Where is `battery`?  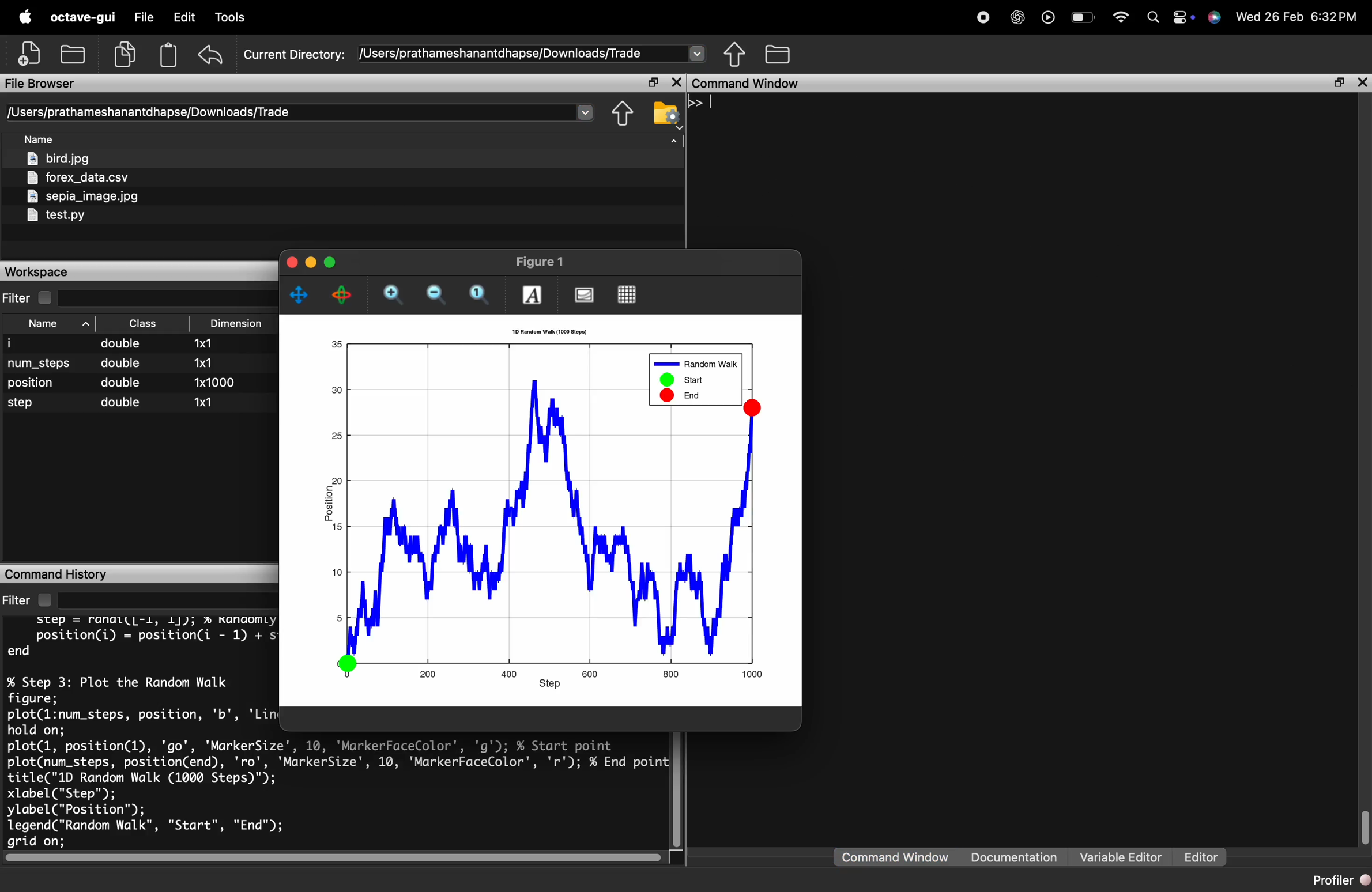 battery is located at coordinates (1084, 19).